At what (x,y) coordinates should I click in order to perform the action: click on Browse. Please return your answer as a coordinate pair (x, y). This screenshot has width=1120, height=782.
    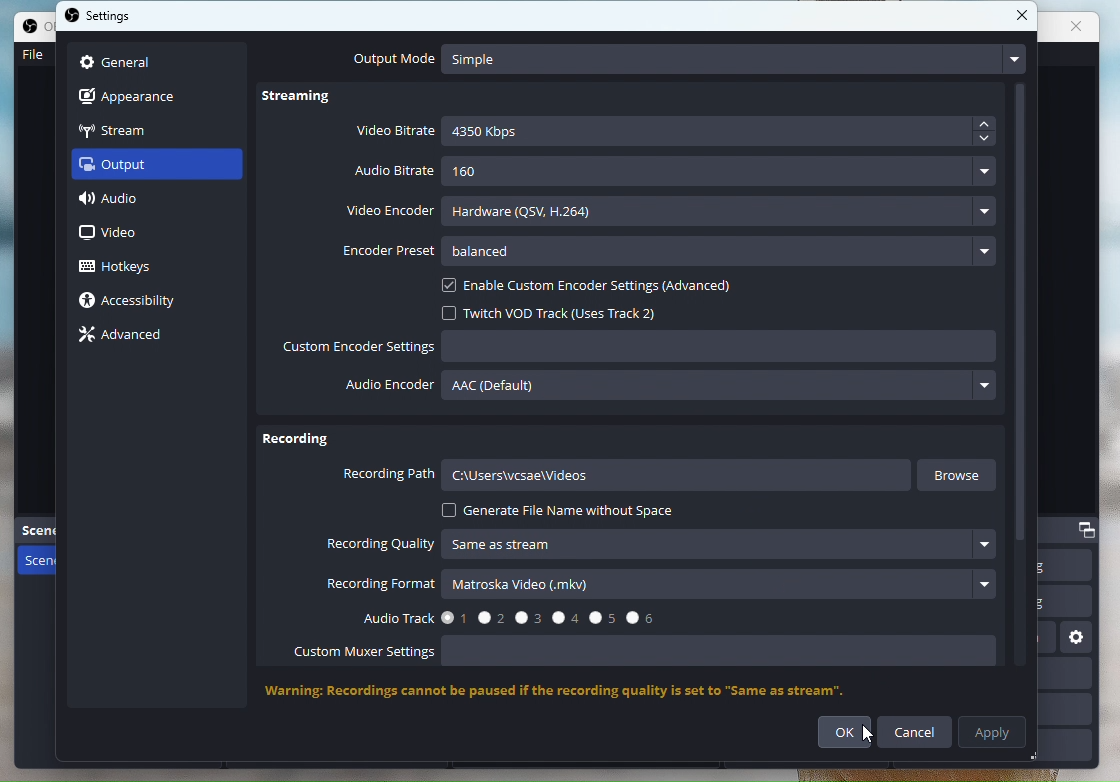
    Looking at the image, I should click on (961, 475).